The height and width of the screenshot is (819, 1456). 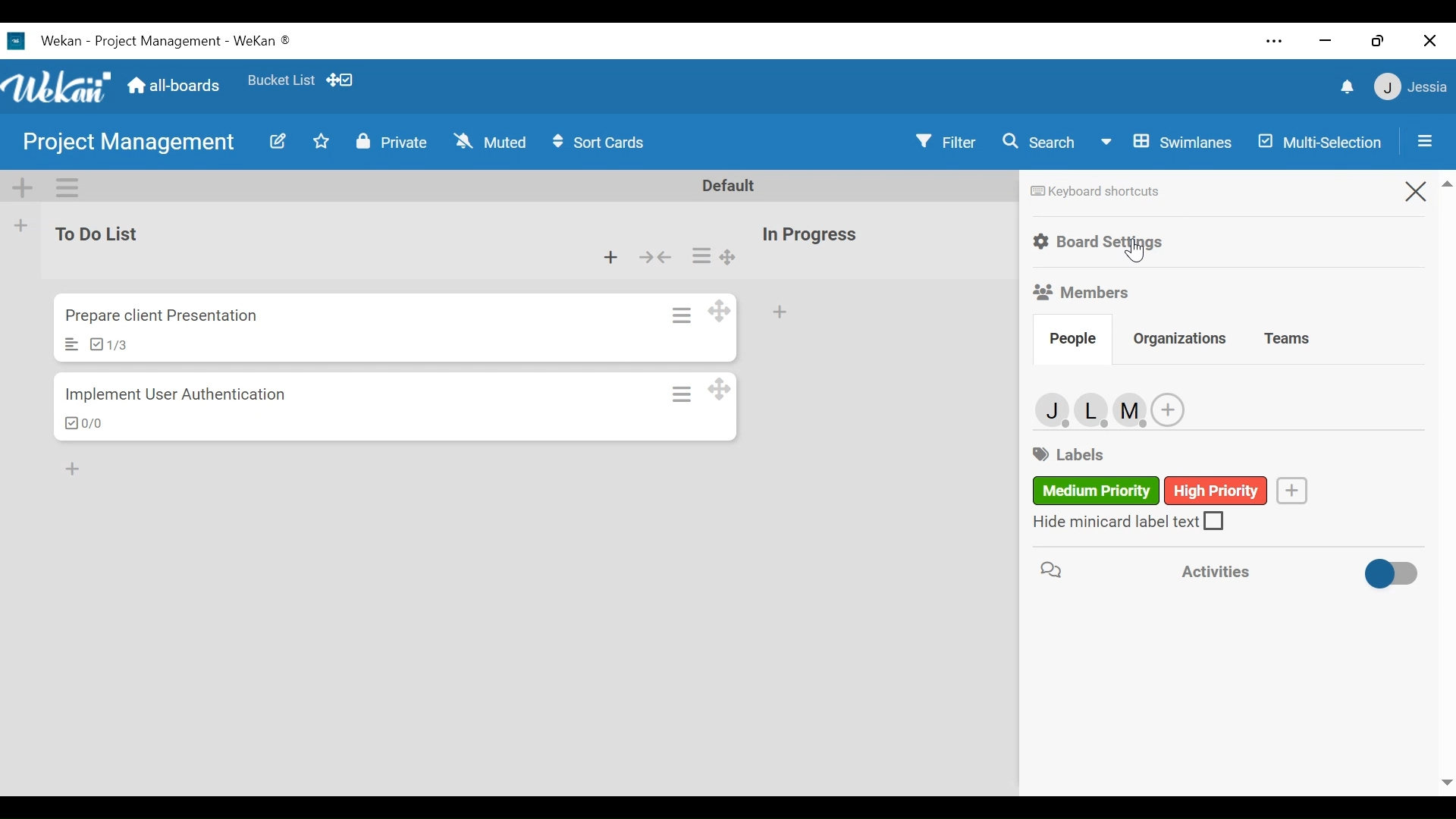 I want to click on Card actions, so click(x=701, y=256).